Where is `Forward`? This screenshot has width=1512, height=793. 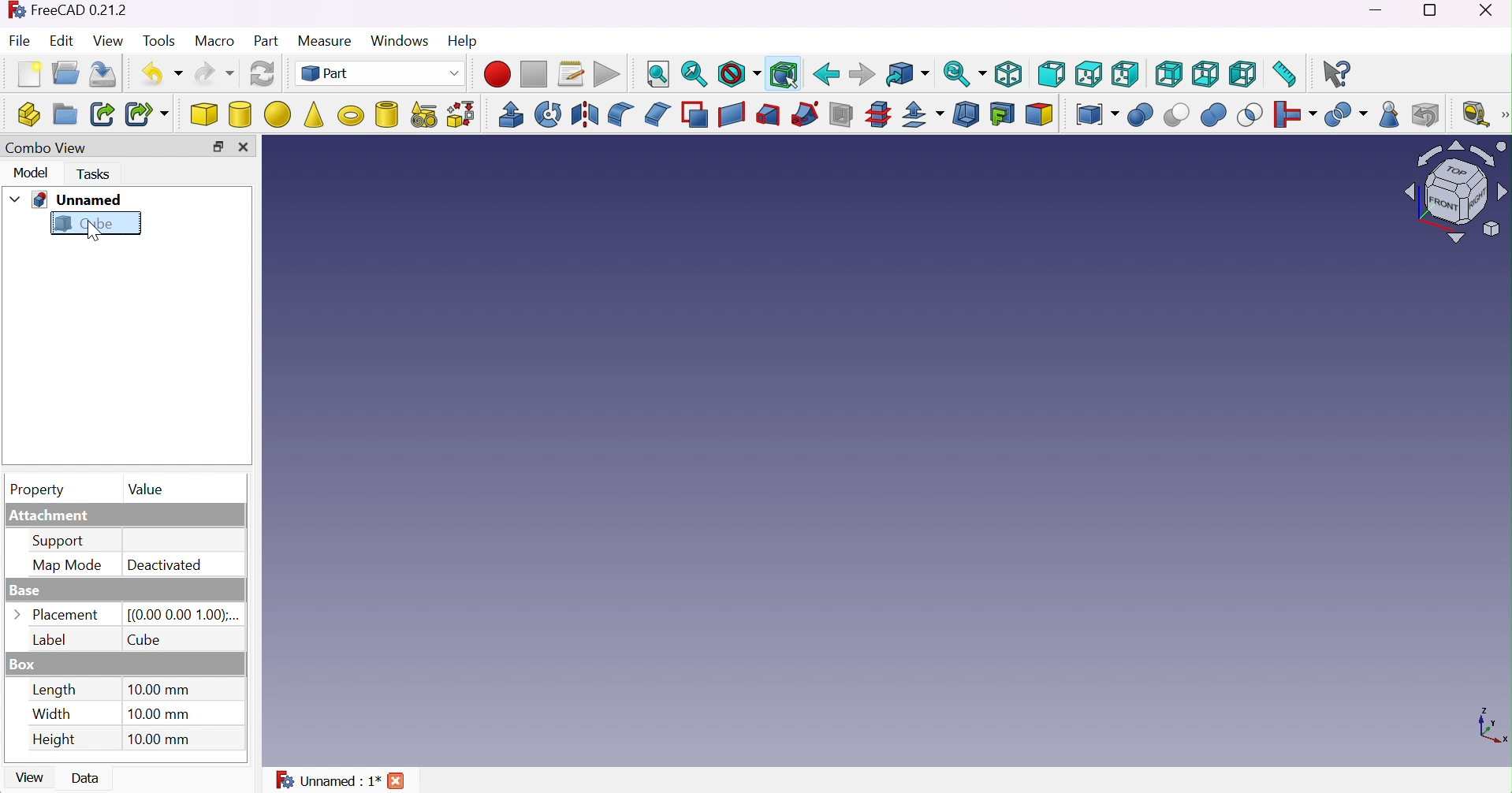 Forward is located at coordinates (862, 76).